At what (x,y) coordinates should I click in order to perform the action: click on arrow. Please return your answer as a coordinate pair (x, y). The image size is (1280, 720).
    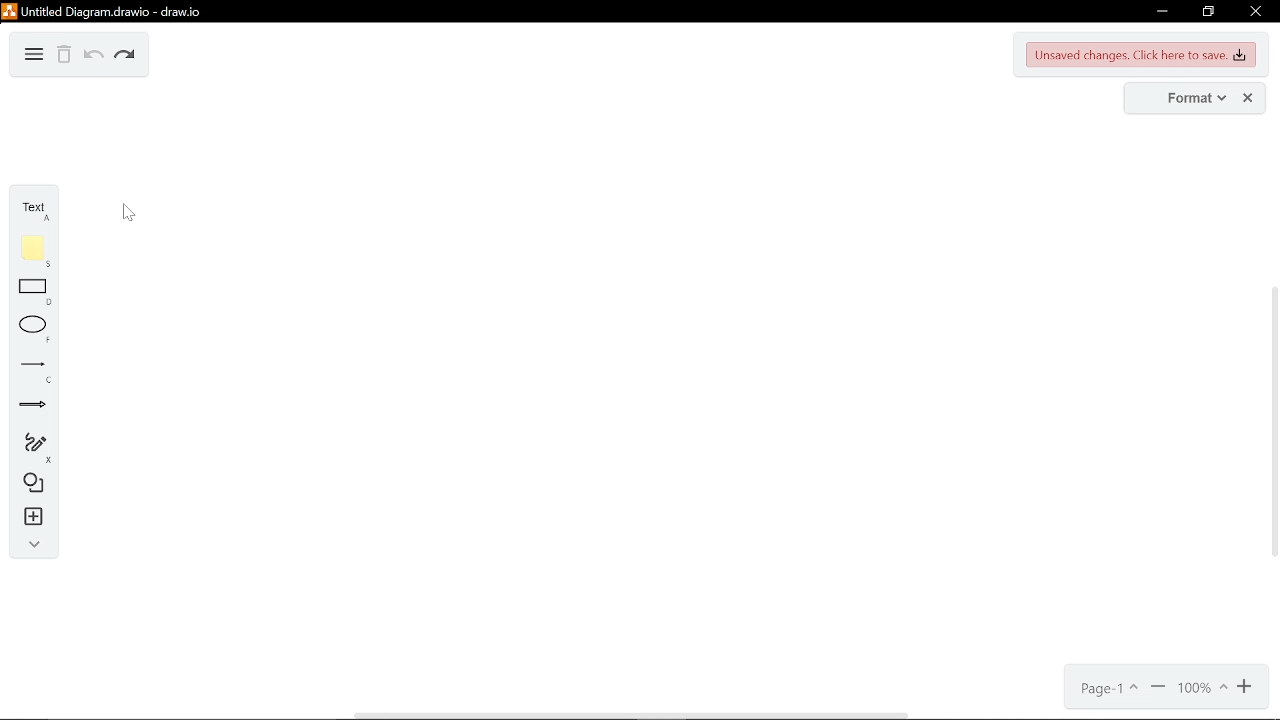
    Looking at the image, I should click on (38, 409).